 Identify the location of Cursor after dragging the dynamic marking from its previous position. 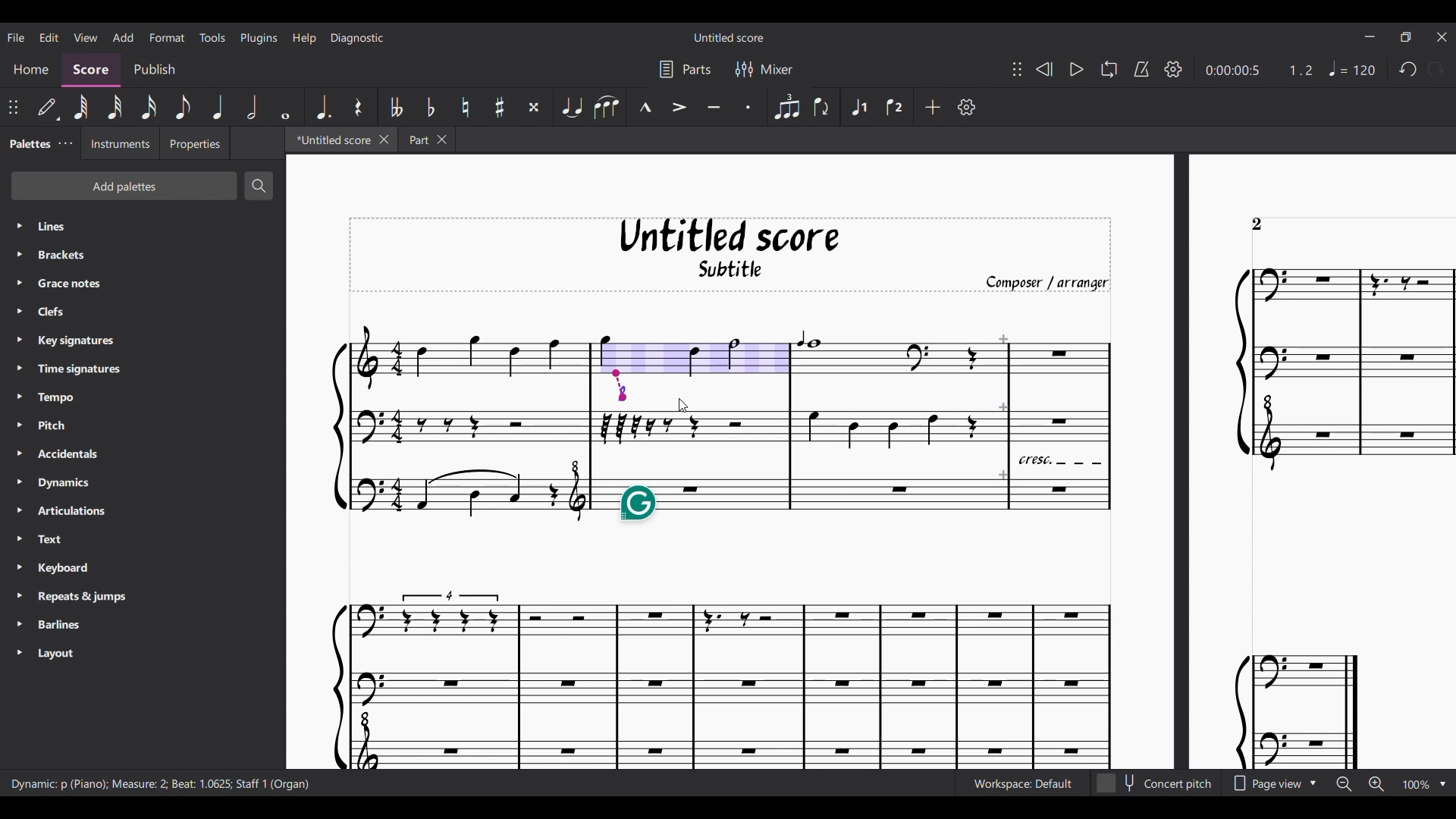
(683, 406).